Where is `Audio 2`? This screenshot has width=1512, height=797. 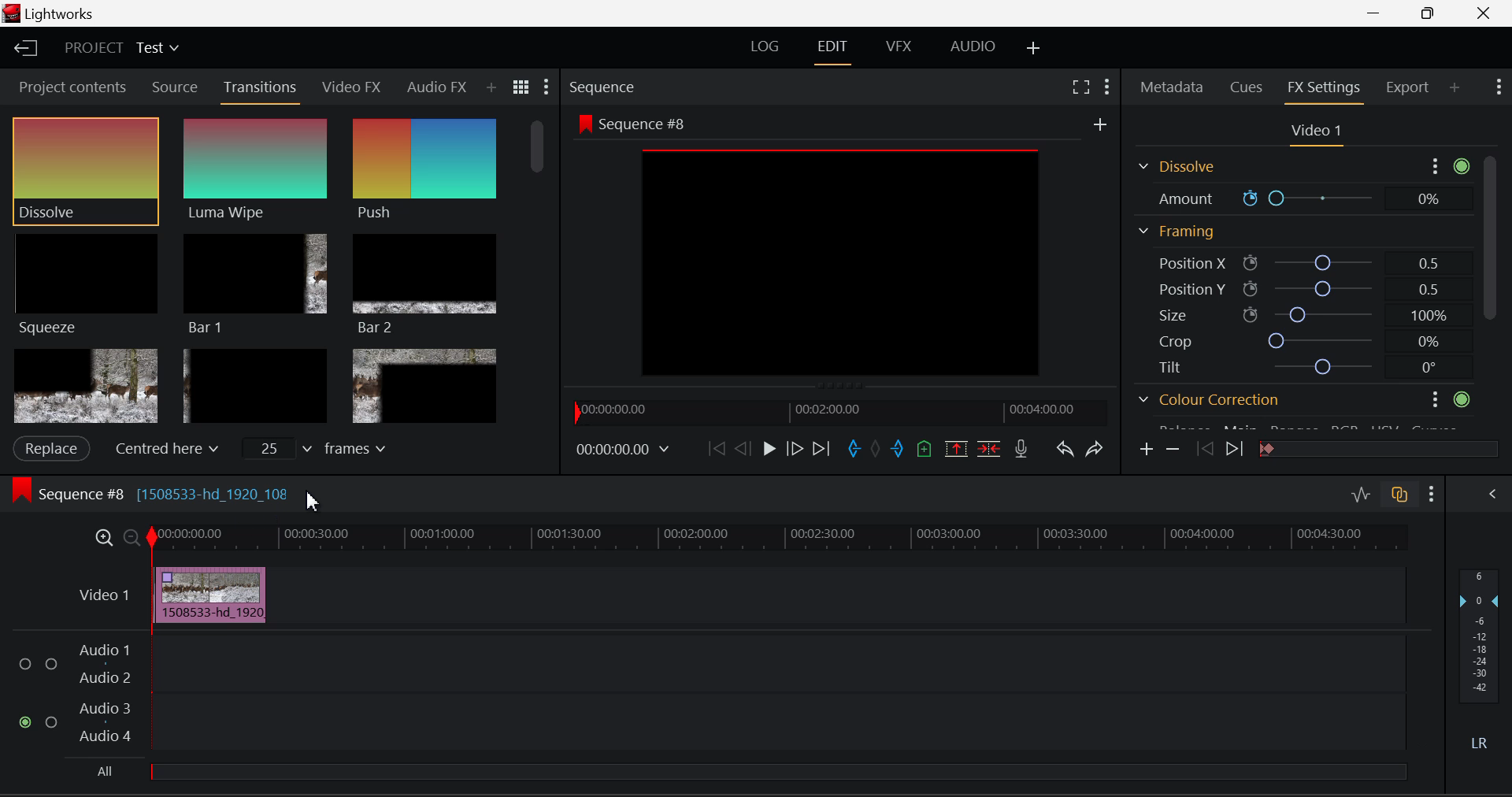
Audio 2 is located at coordinates (104, 679).